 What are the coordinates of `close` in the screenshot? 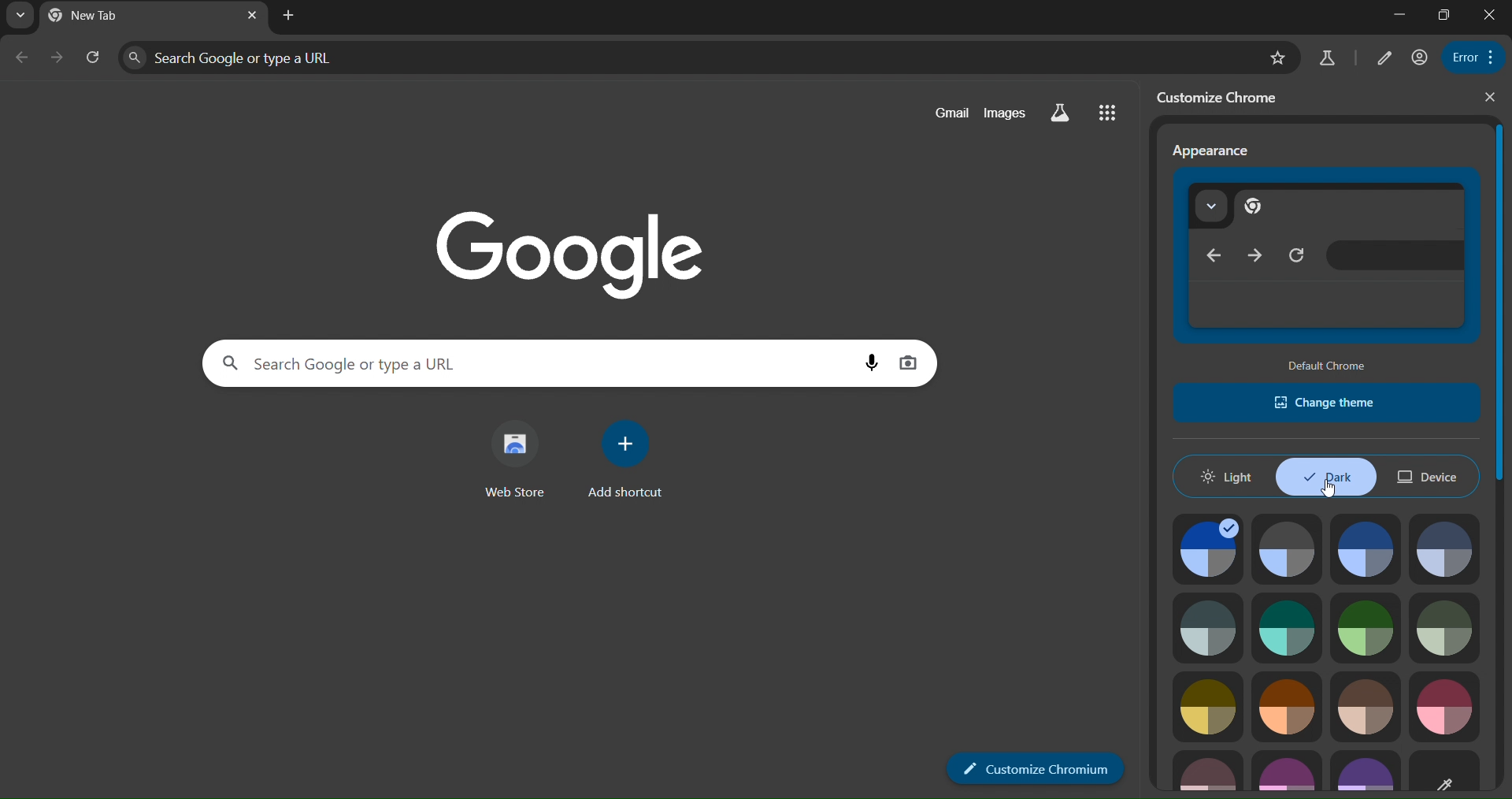 It's located at (1490, 13).